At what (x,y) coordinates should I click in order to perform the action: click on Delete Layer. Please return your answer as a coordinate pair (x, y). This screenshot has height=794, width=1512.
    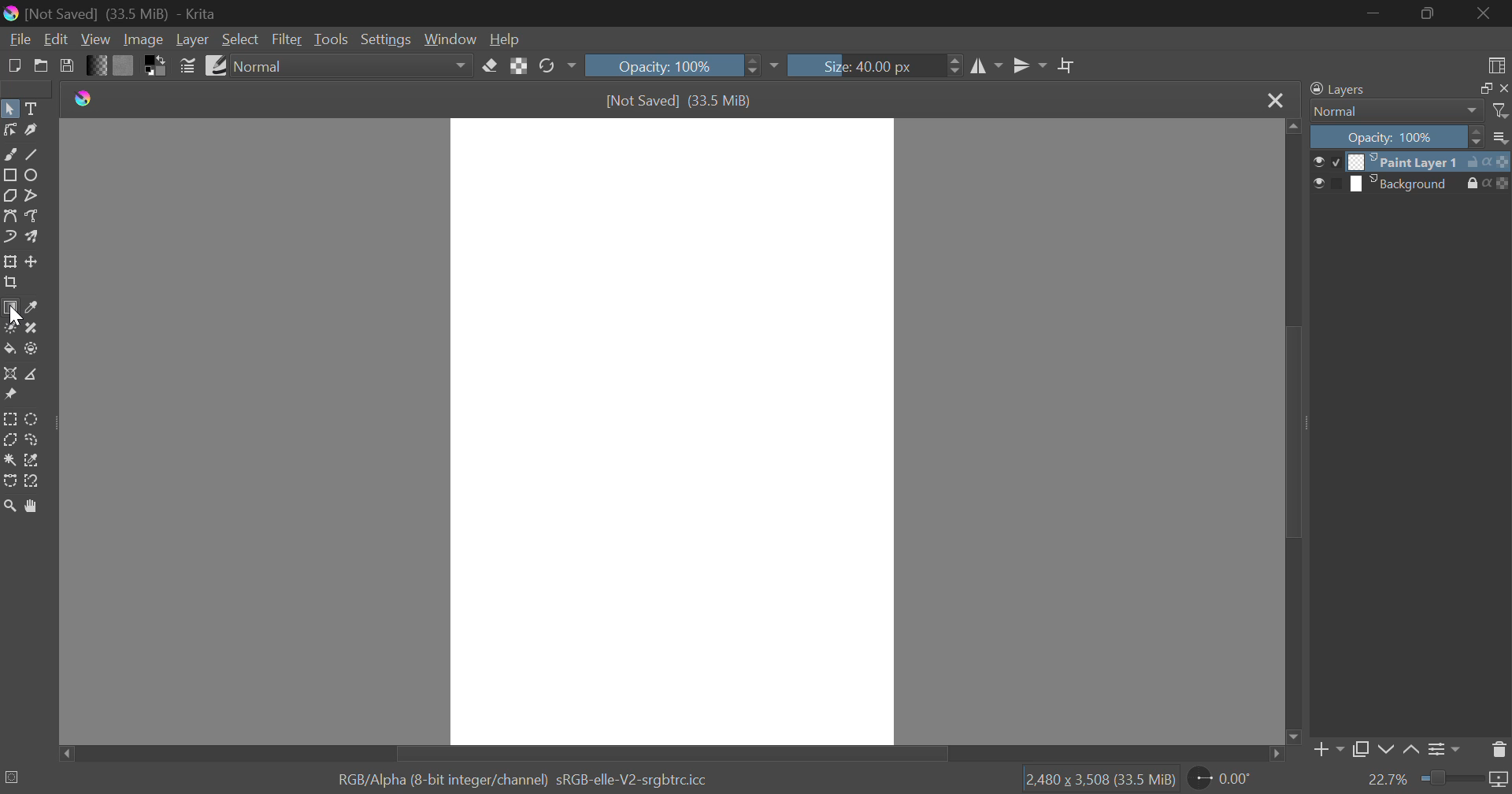
    Looking at the image, I should click on (1499, 748).